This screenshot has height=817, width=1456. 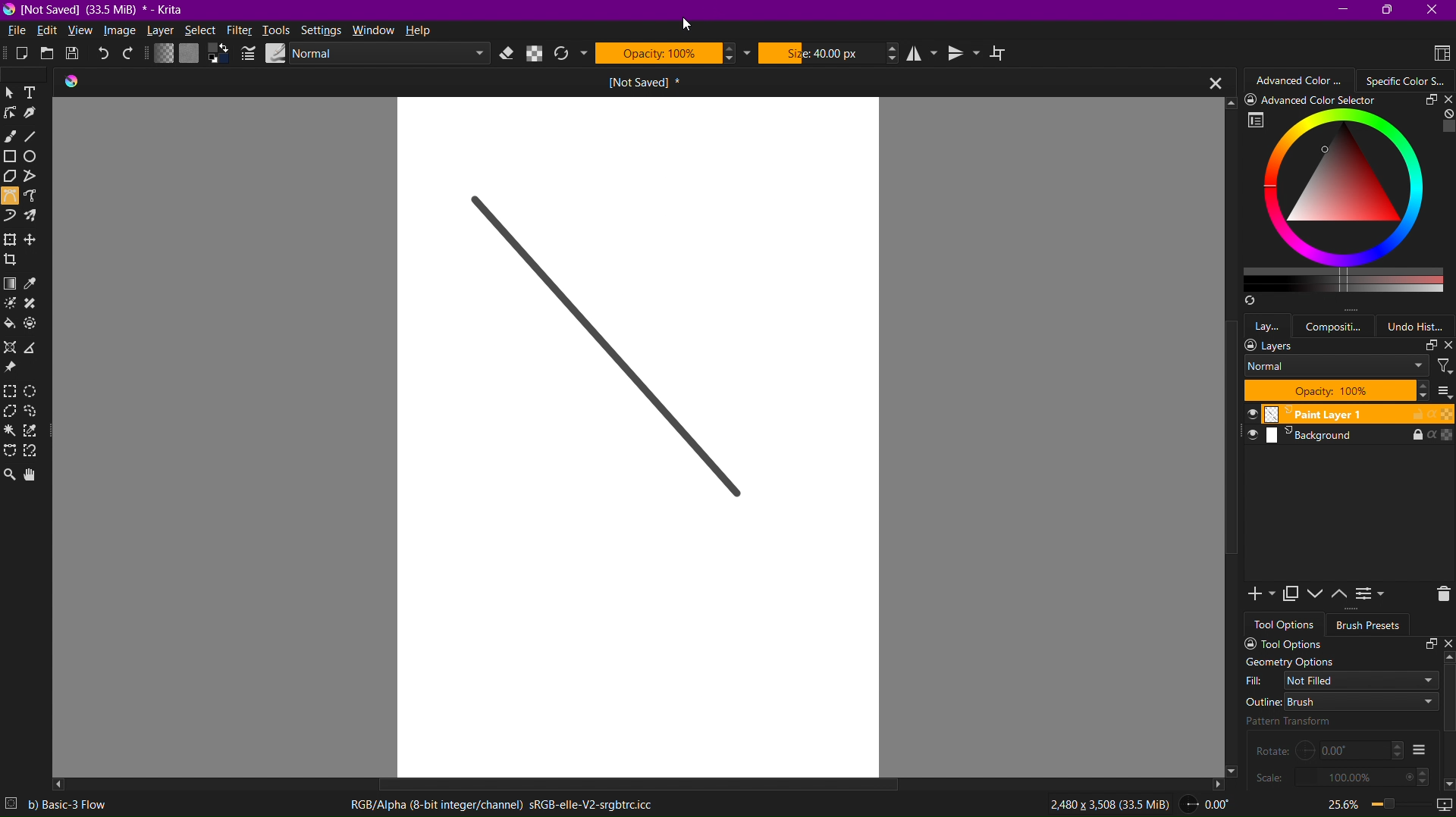 What do you see at coordinates (1226, 102) in the screenshot?
I see `Up` at bounding box center [1226, 102].